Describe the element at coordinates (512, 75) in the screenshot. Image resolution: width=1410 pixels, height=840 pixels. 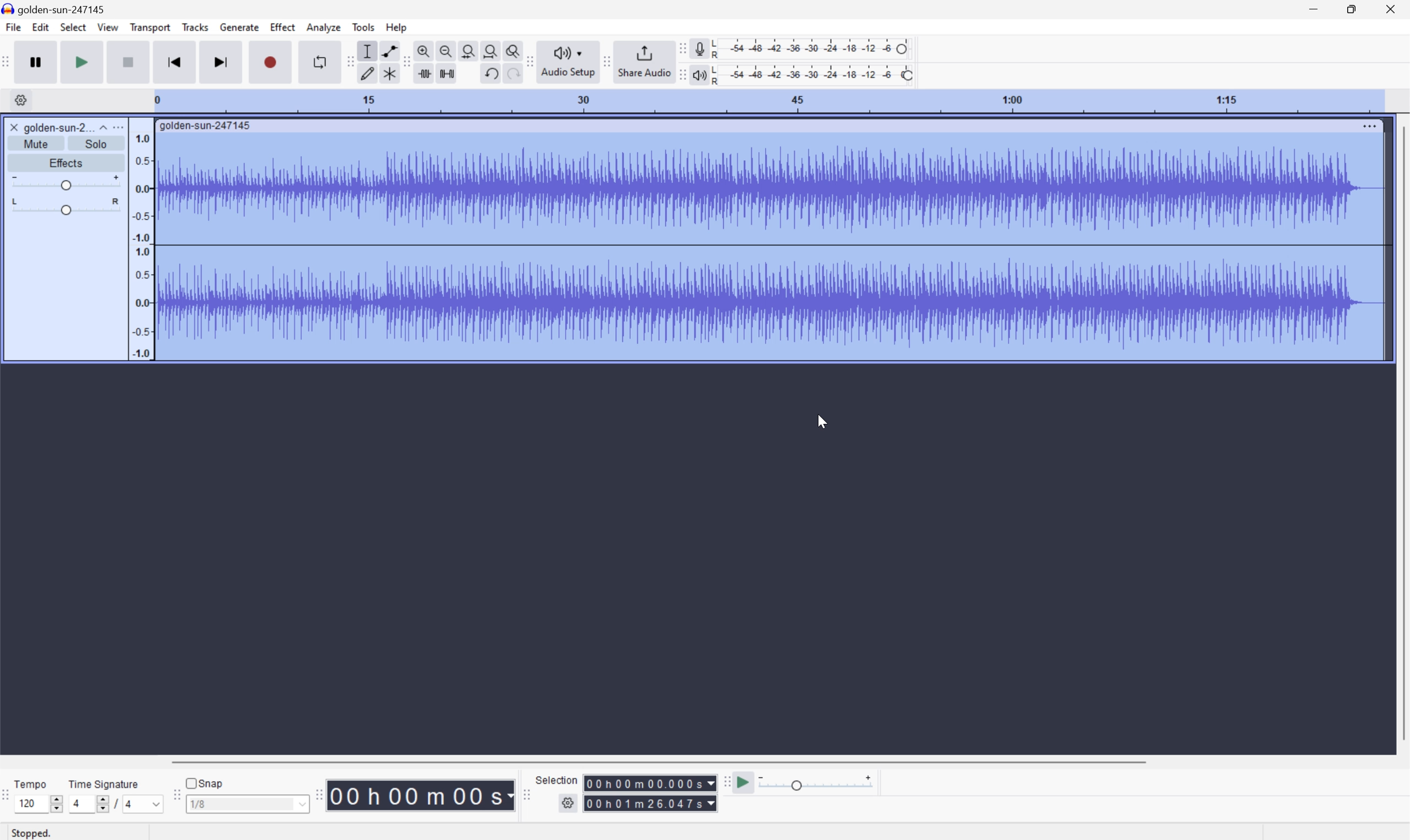
I see `Redo` at that location.